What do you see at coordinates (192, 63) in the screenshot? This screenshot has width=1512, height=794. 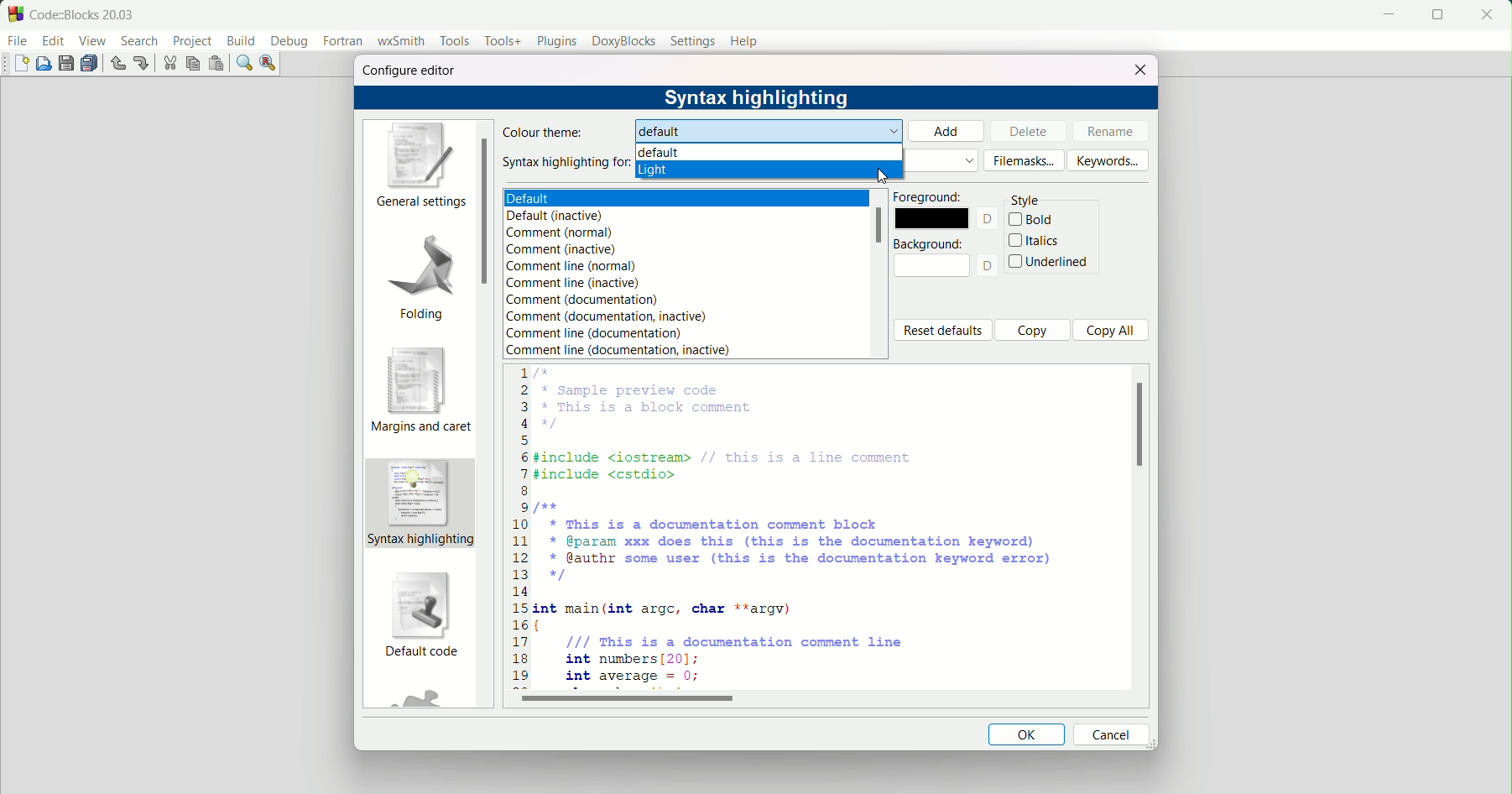 I see `copy` at bounding box center [192, 63].